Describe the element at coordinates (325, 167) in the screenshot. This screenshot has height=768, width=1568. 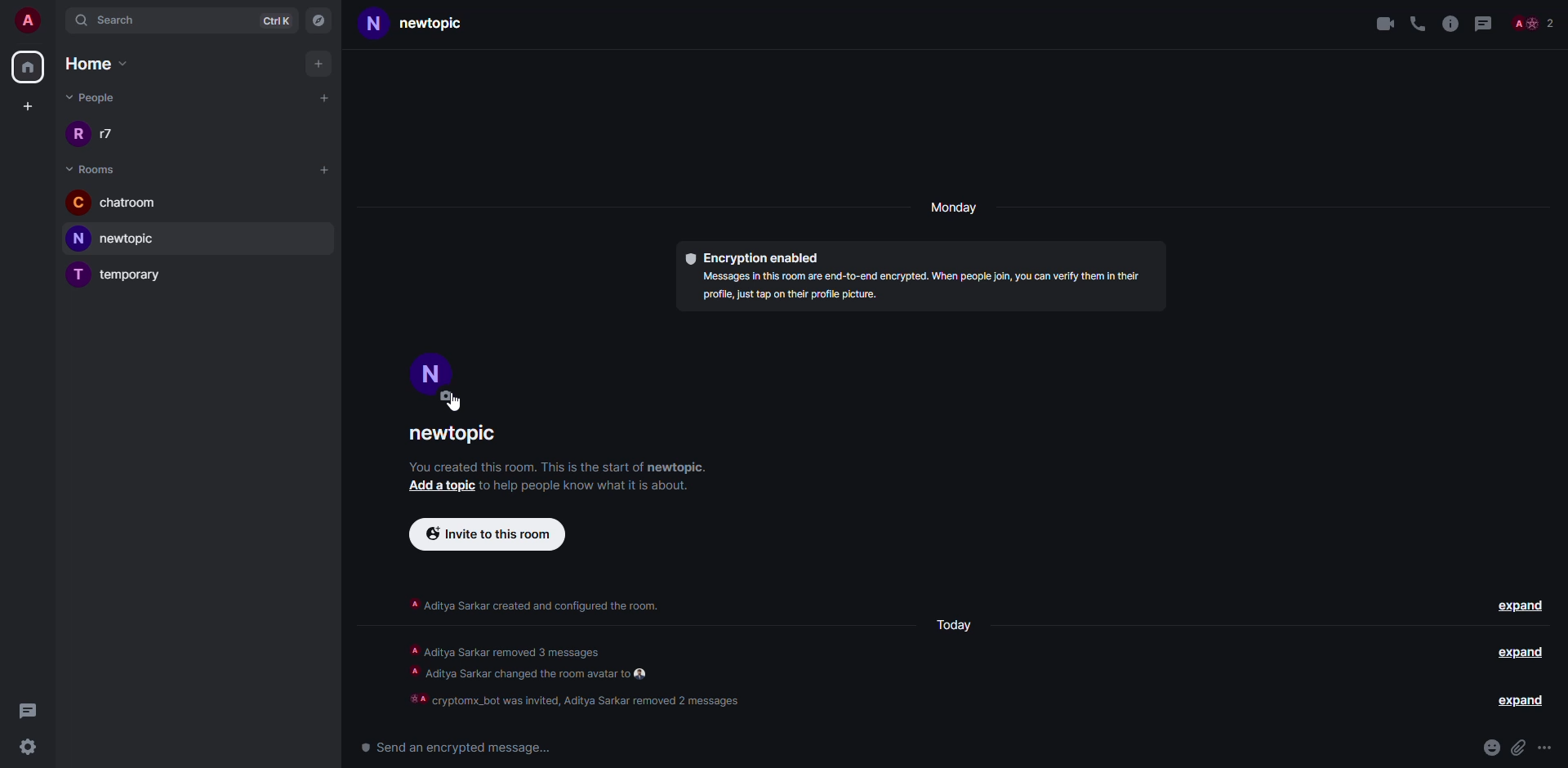
I see `add` at that location.